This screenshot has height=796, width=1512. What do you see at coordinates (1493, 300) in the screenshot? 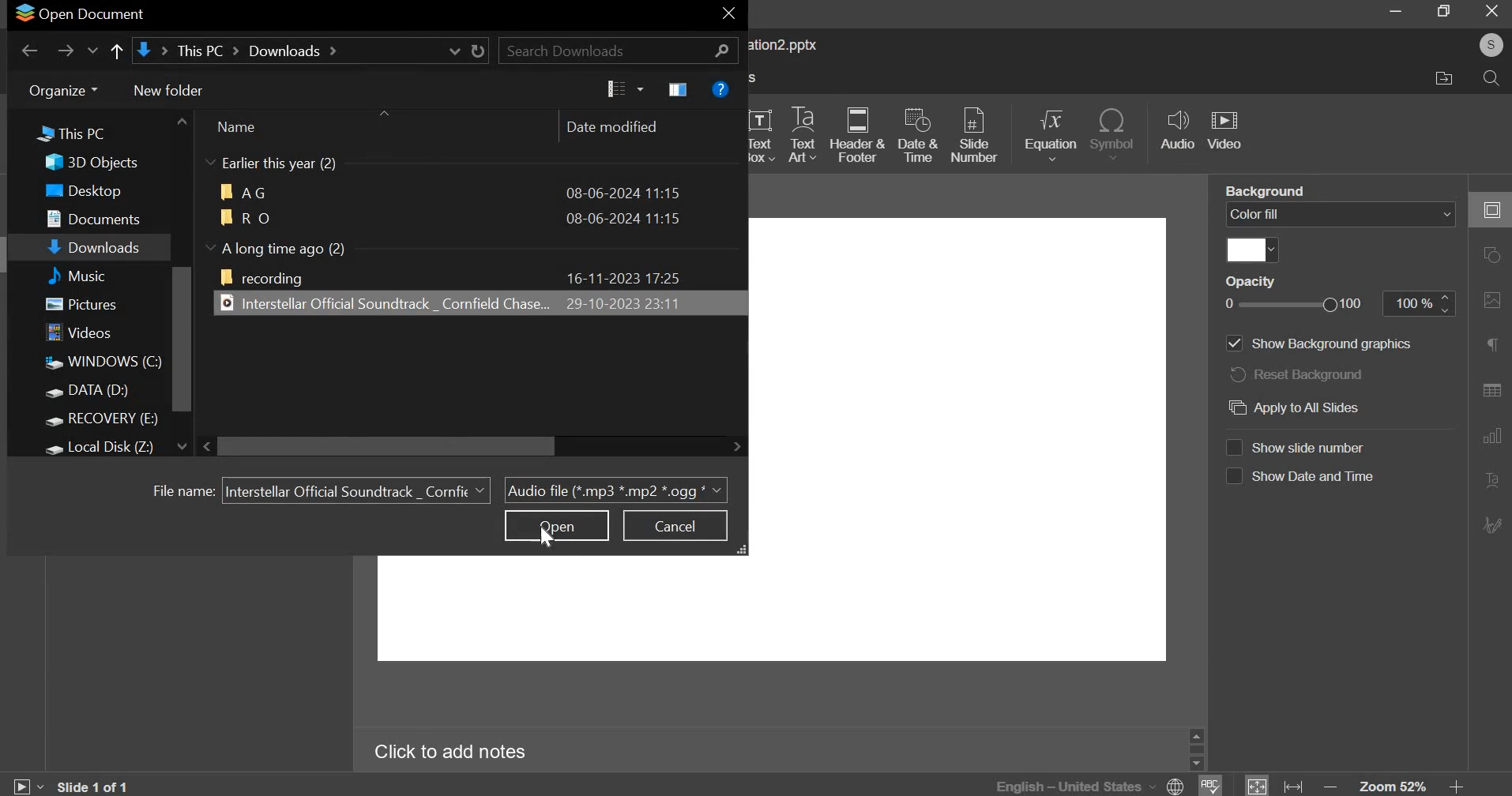
I see `image settings` at bounding box center [1493, 300].